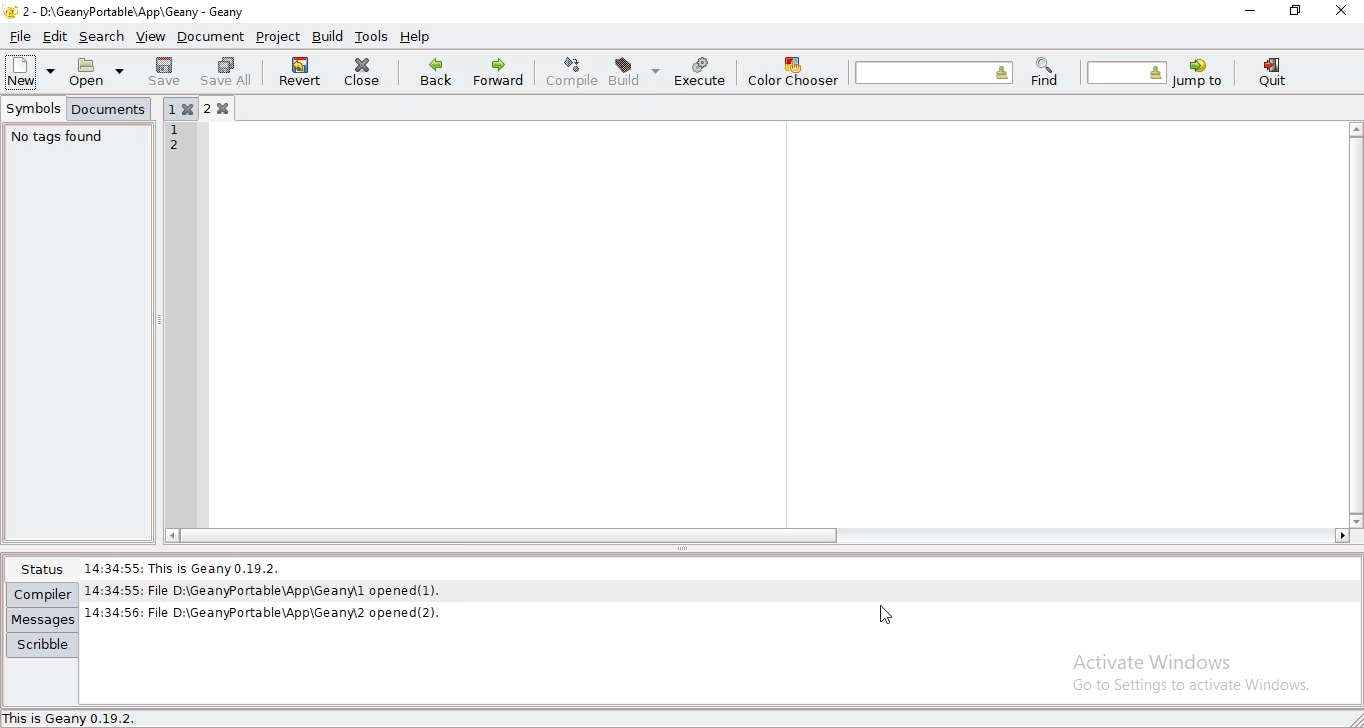  I want to click on 14:34:55: File D:\GeanyPortable\App\Geany\l opened(1)., so click(264, 588).